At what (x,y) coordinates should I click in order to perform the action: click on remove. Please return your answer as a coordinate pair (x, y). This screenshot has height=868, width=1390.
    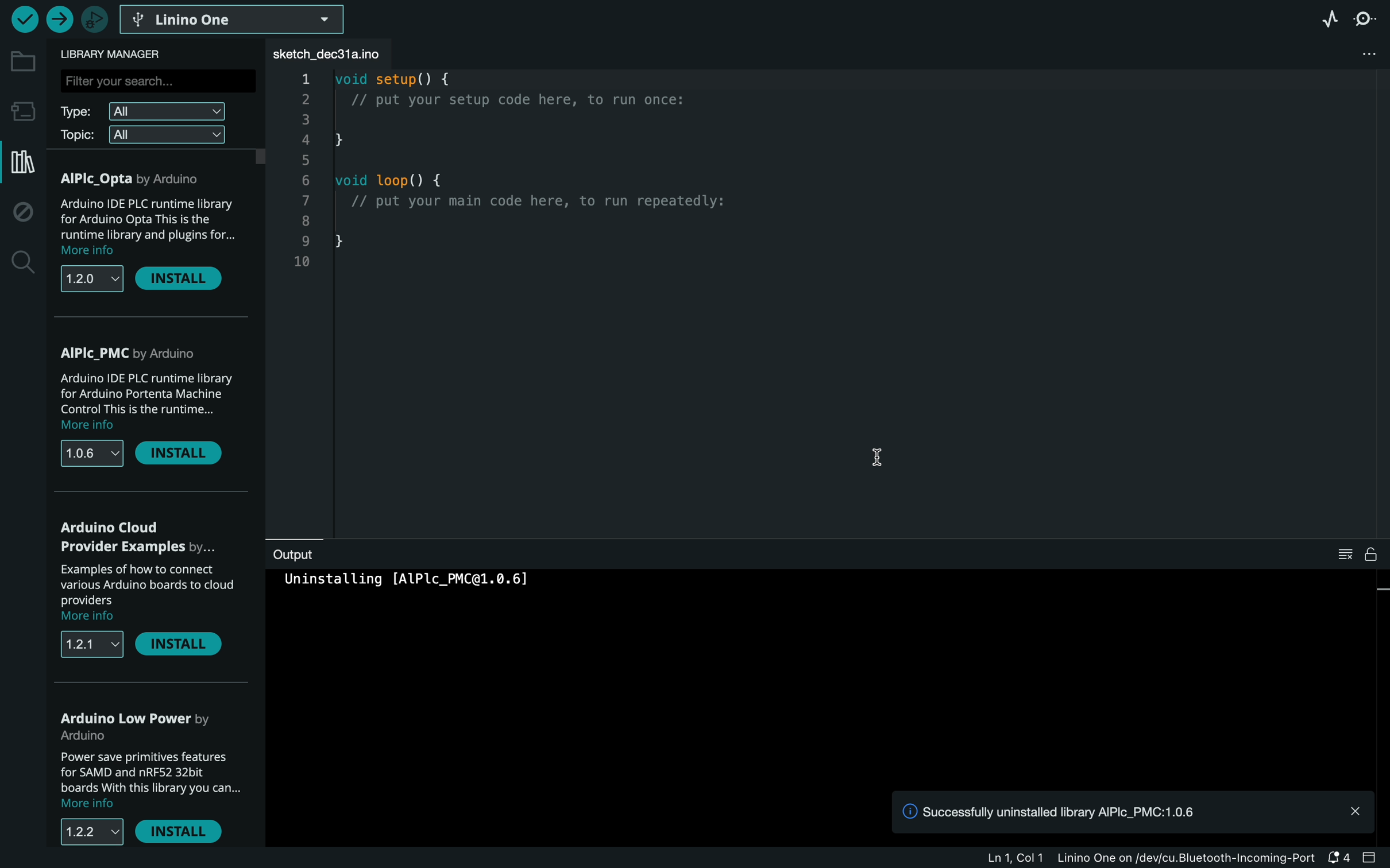
    Looking at the image, I should click on (186, 459).